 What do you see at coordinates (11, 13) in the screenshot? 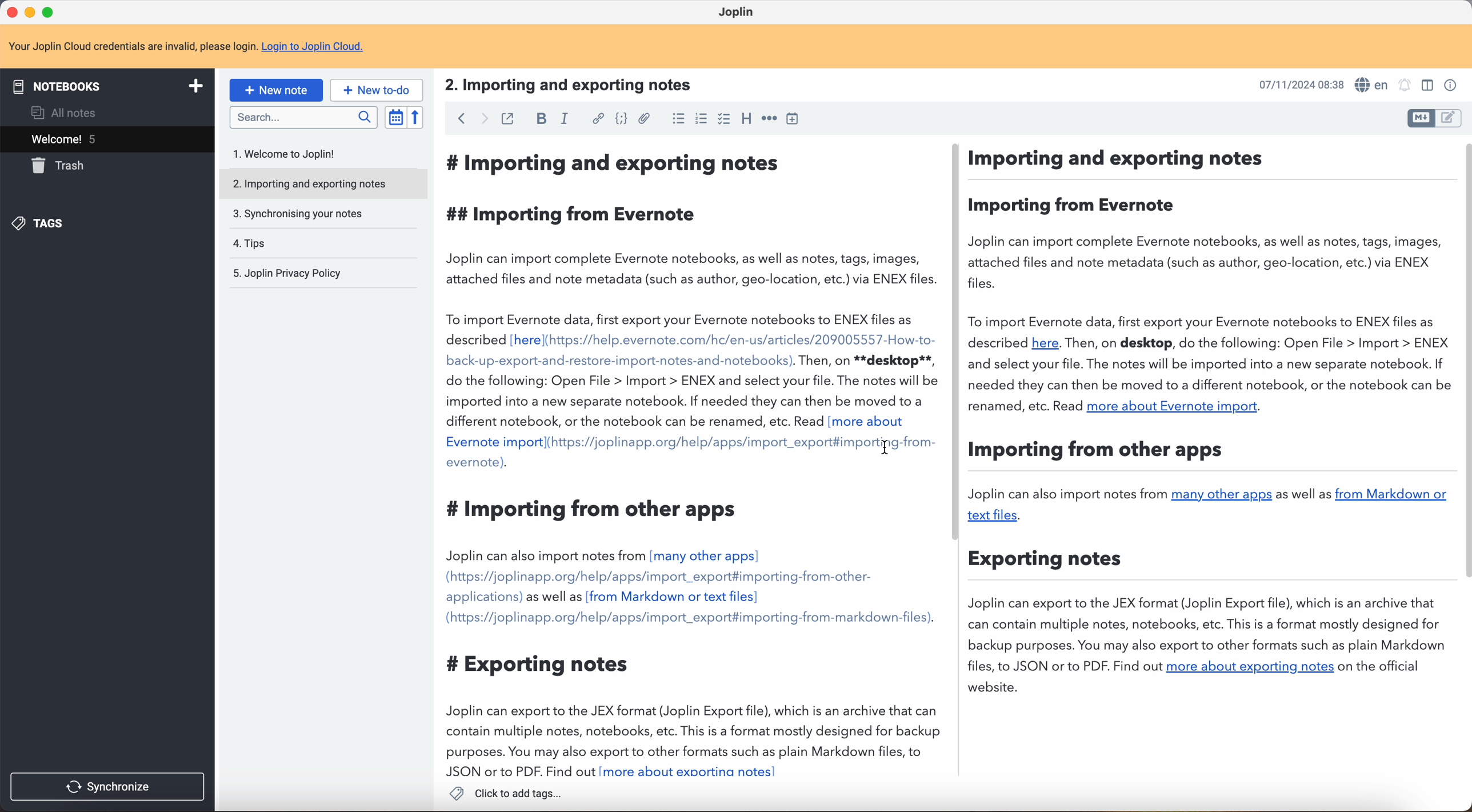
I see `close Joplin` at bounding box center [11, 13].